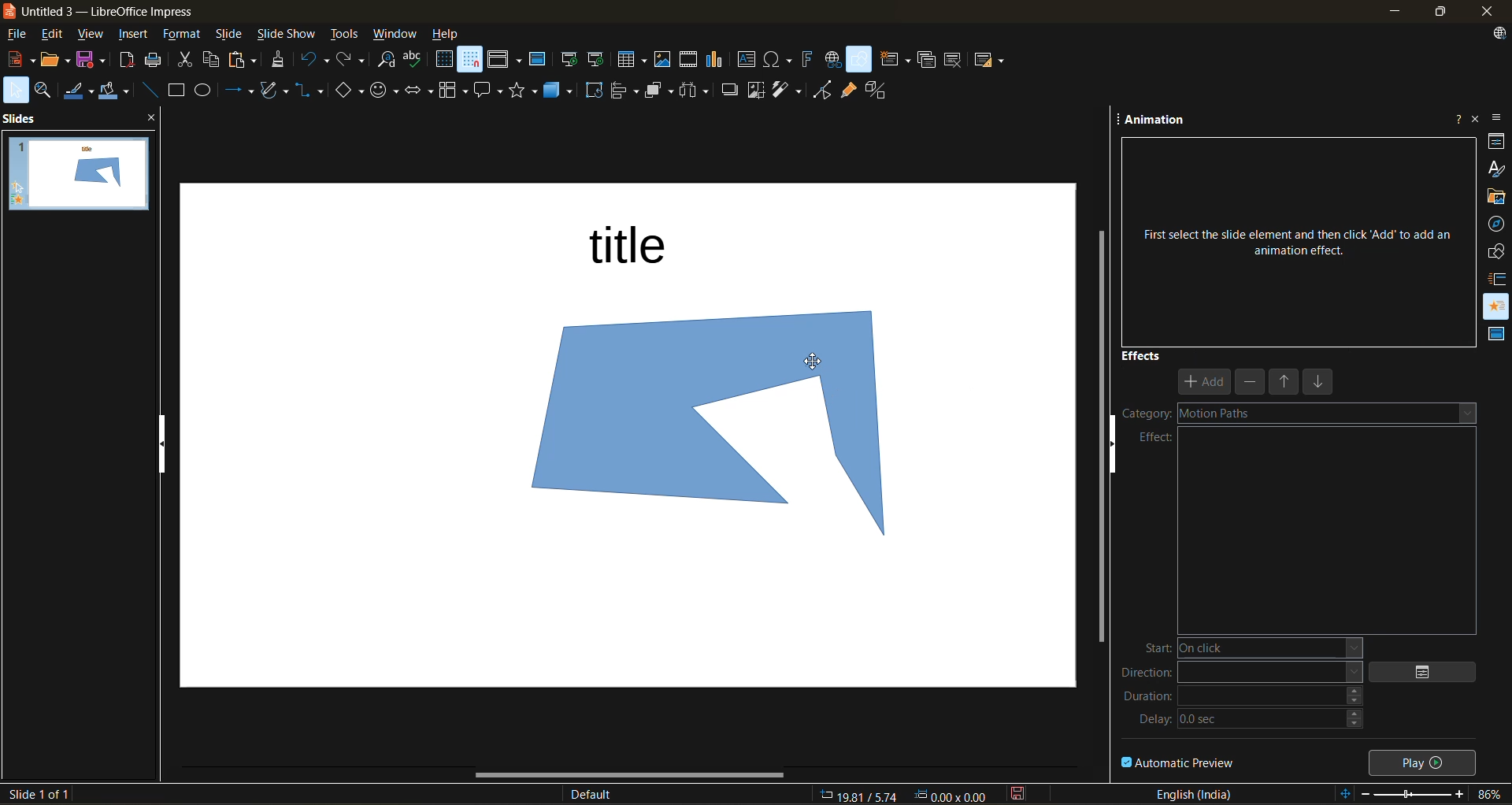 This screenshot has height=805, width=1512. Describe the element at coordinates (1501, 117) in the screenshot. I see `sidebar settings` at that location.